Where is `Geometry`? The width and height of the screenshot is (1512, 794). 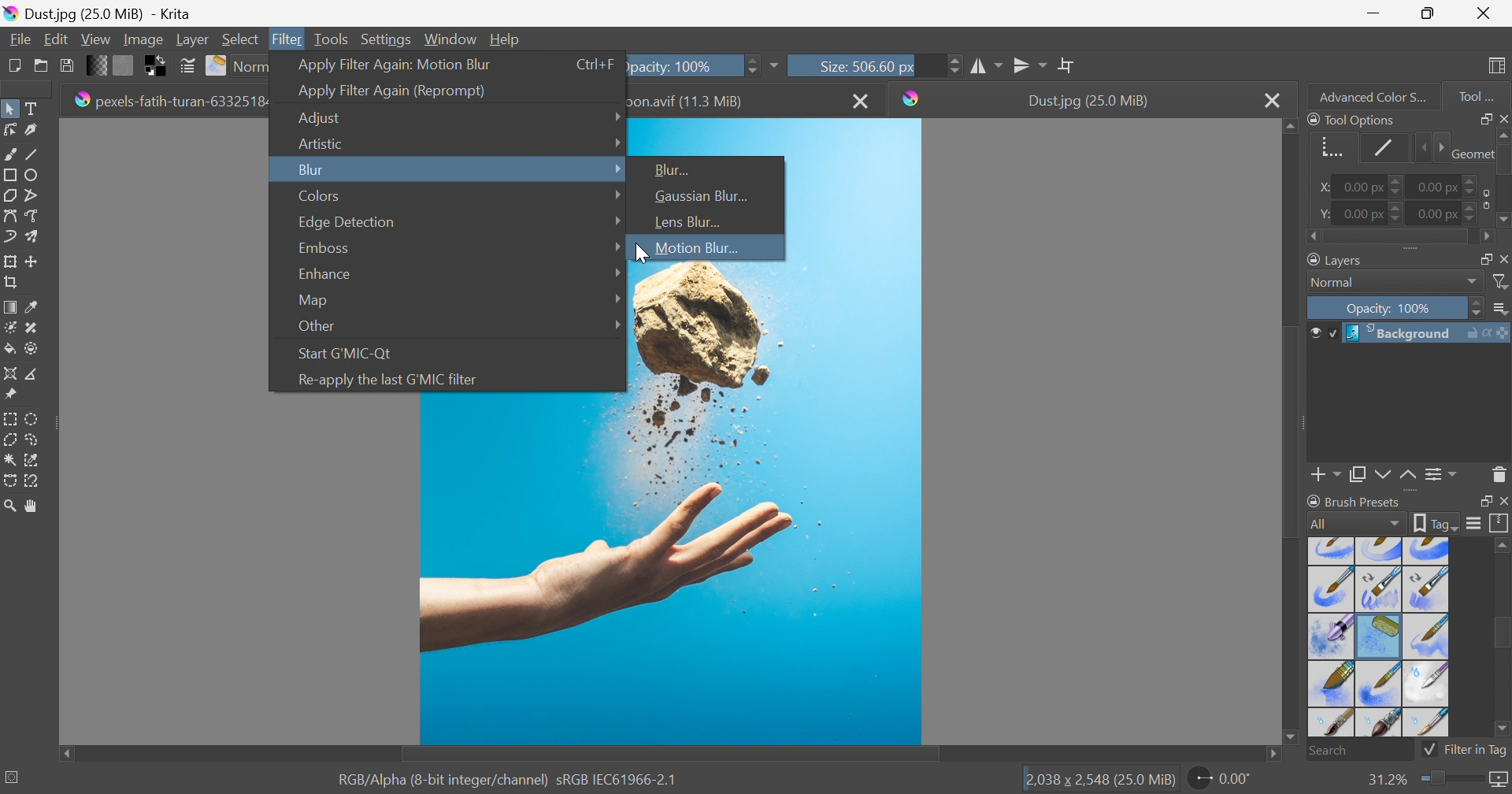 Geometry is located at coordinates (1470, 152).